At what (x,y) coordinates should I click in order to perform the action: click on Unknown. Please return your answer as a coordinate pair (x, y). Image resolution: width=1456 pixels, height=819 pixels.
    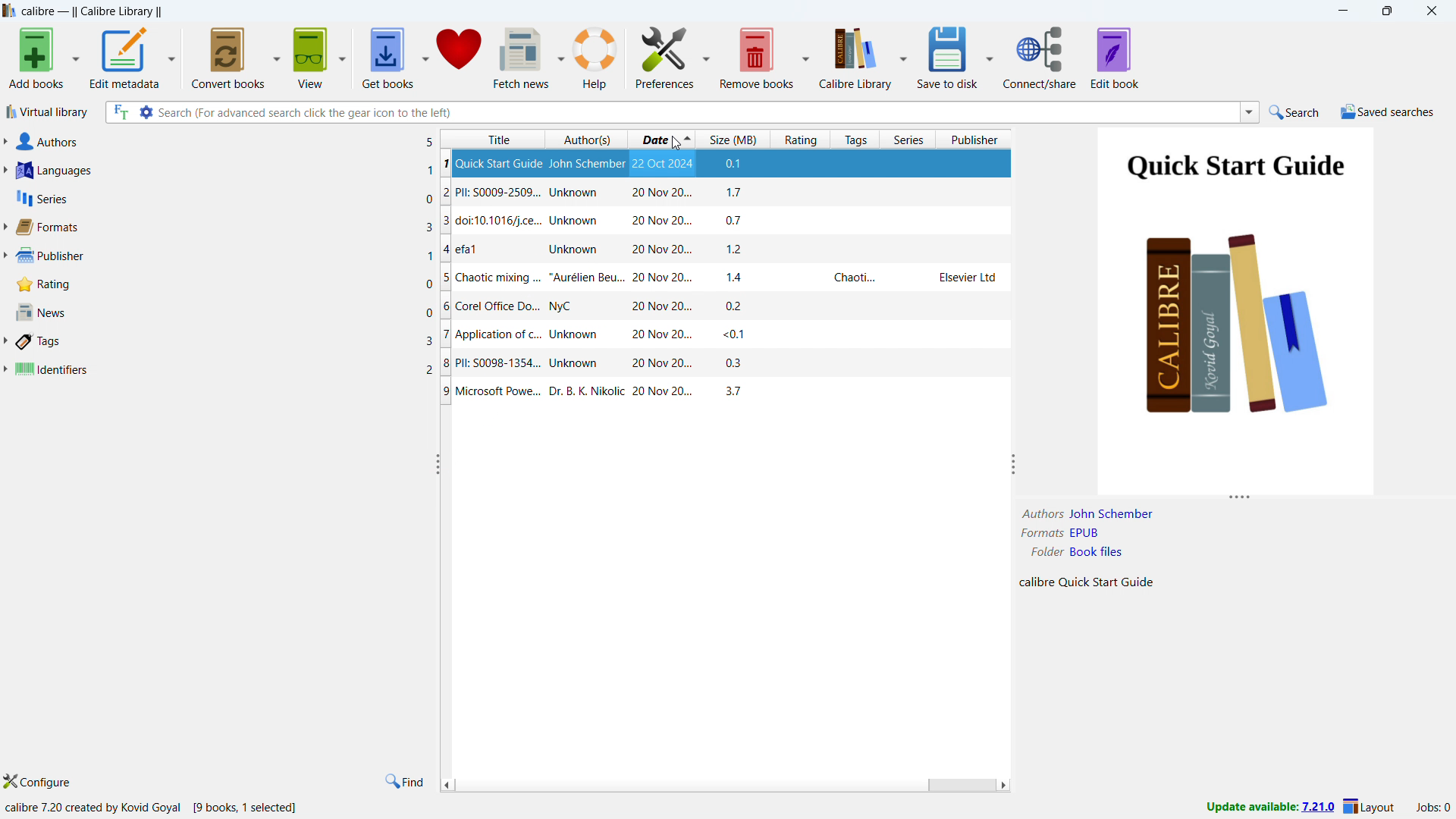
    Looking at the image, I should click on (576, 251).